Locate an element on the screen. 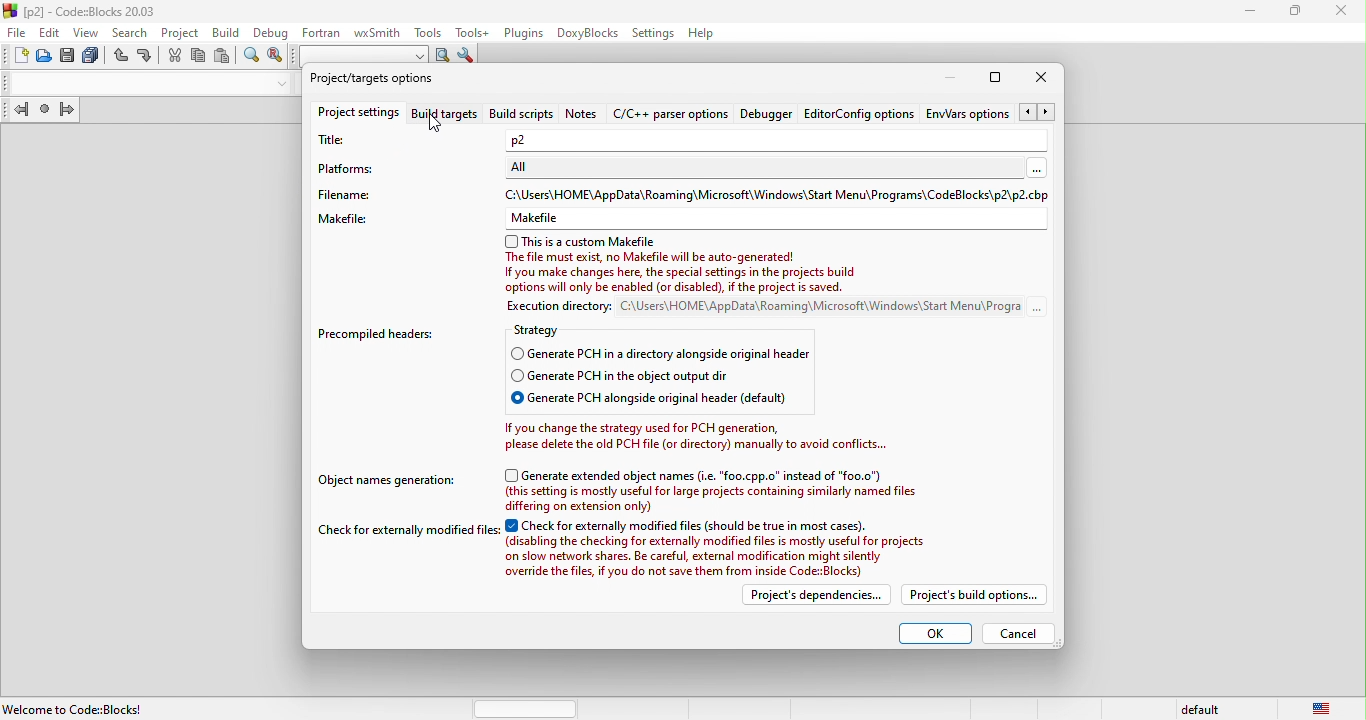 This screenshot has height=720, width=1366. generate extended object names is located at coordinates (703, 474).